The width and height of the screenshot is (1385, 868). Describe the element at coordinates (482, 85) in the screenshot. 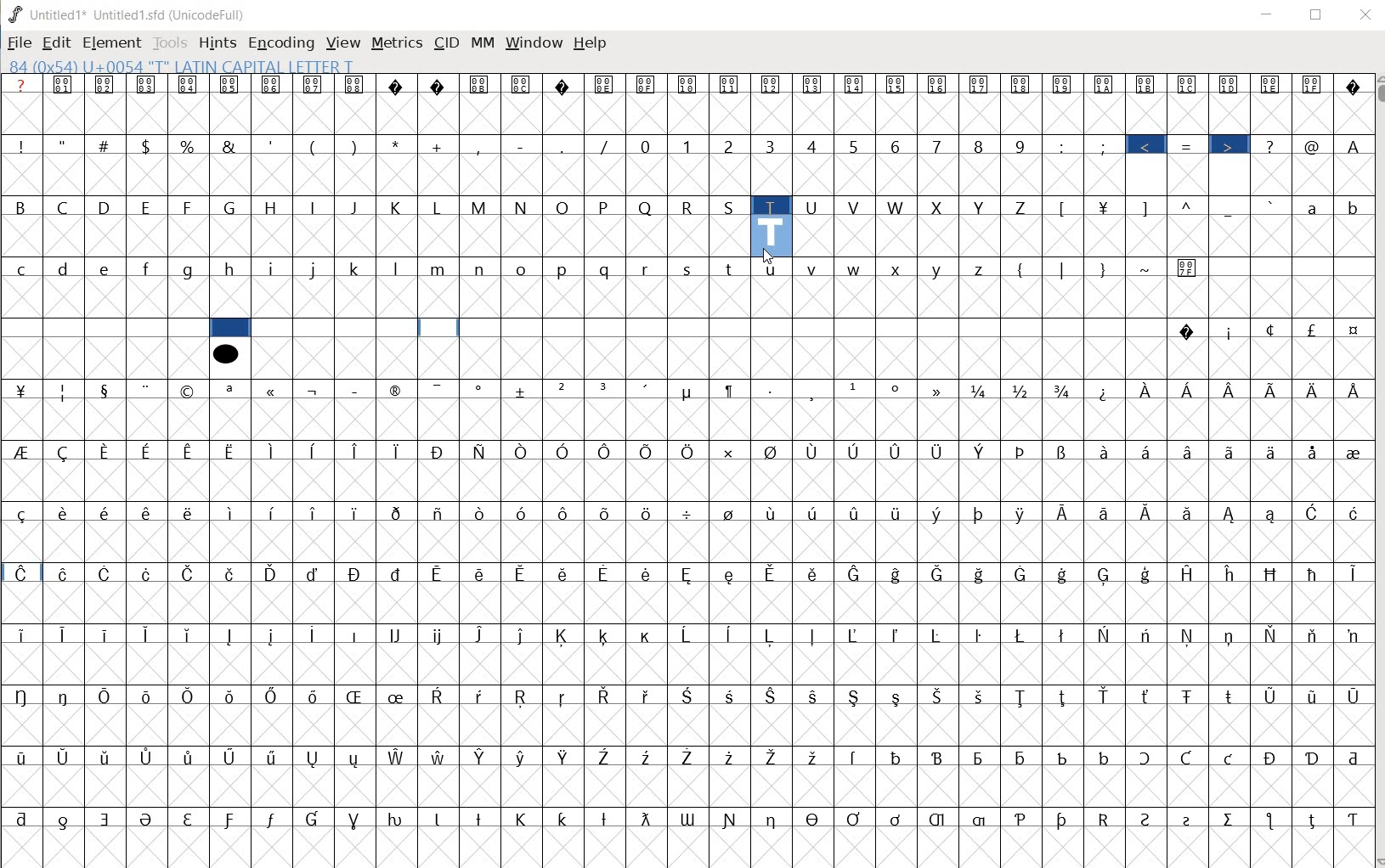

I see `Symbol` at that location.